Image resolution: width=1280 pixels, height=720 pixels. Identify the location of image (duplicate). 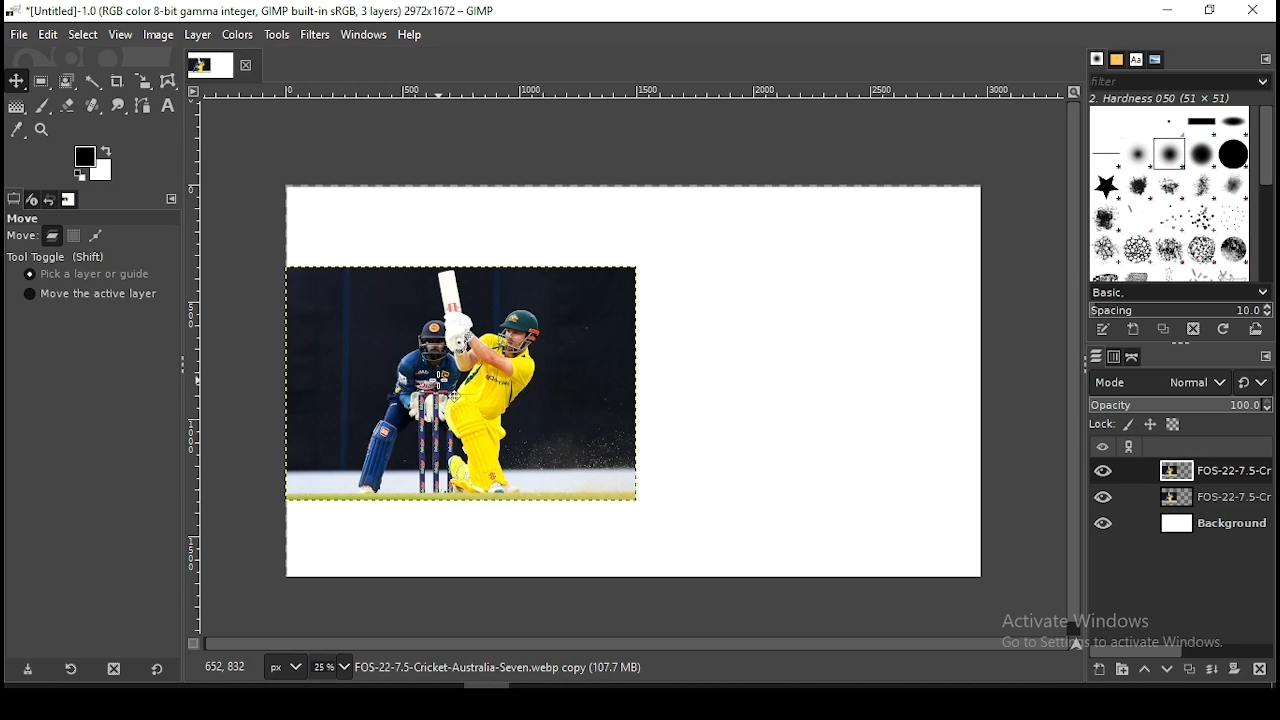
(458, 383).